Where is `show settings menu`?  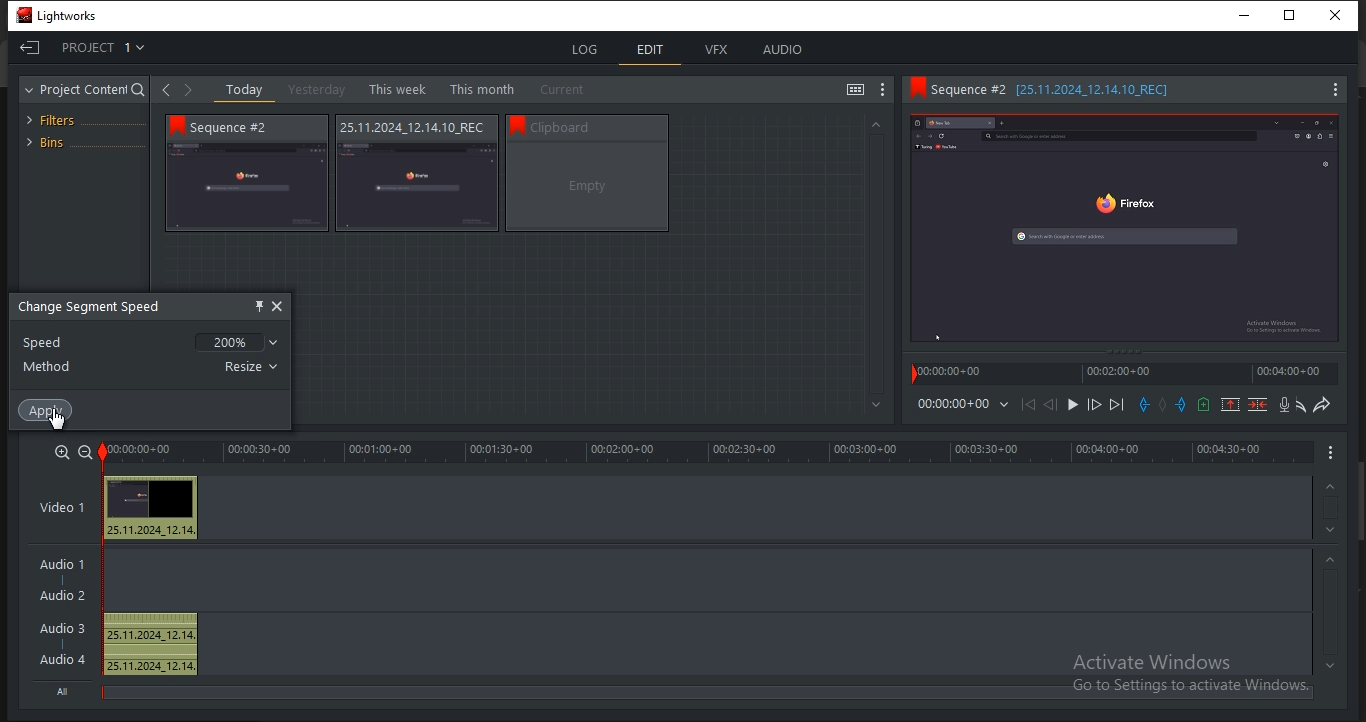 show settings menu is located at coordinates (883, 90).